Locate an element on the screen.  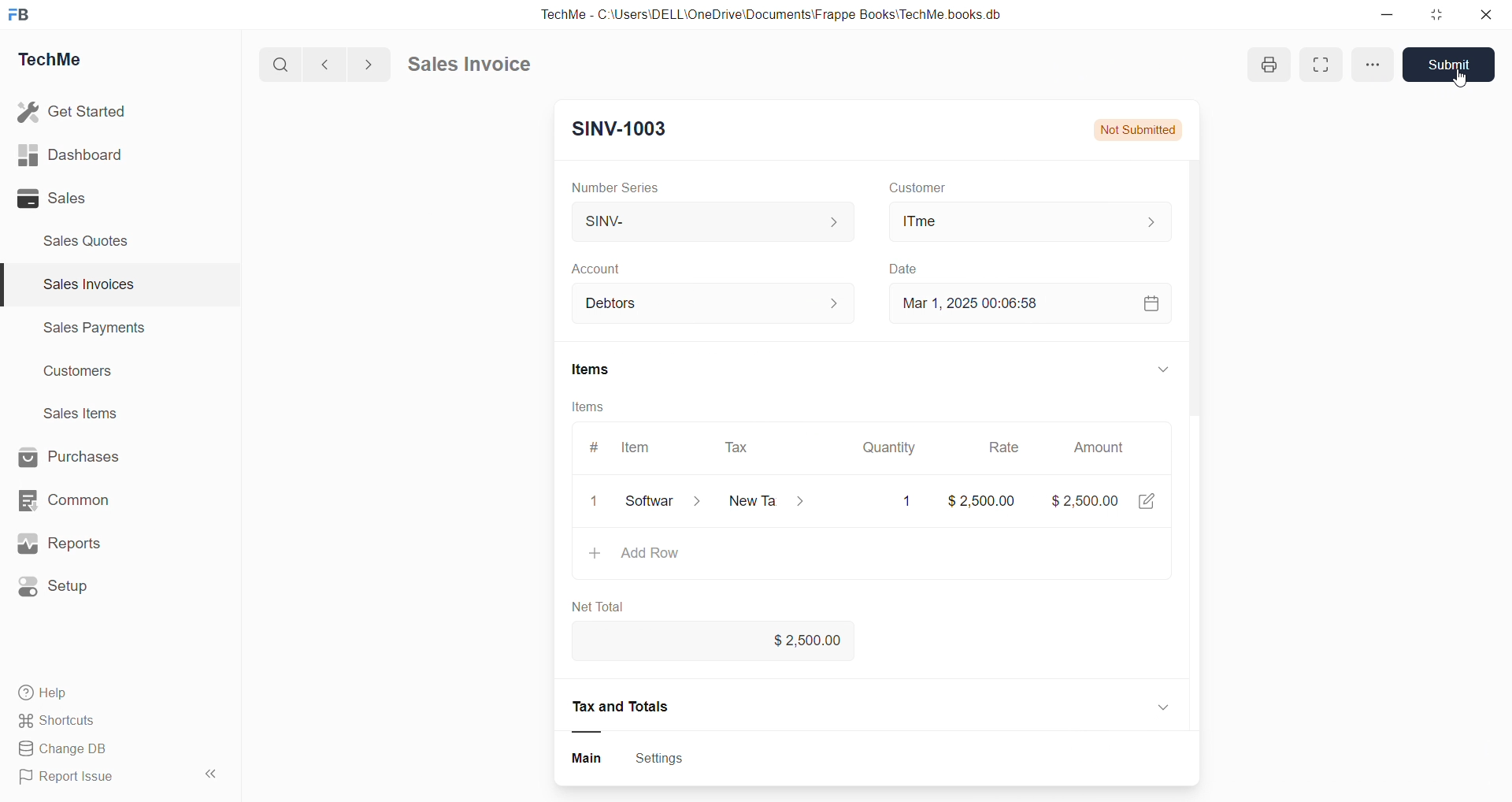
print is located at coordinates (1266, 64).